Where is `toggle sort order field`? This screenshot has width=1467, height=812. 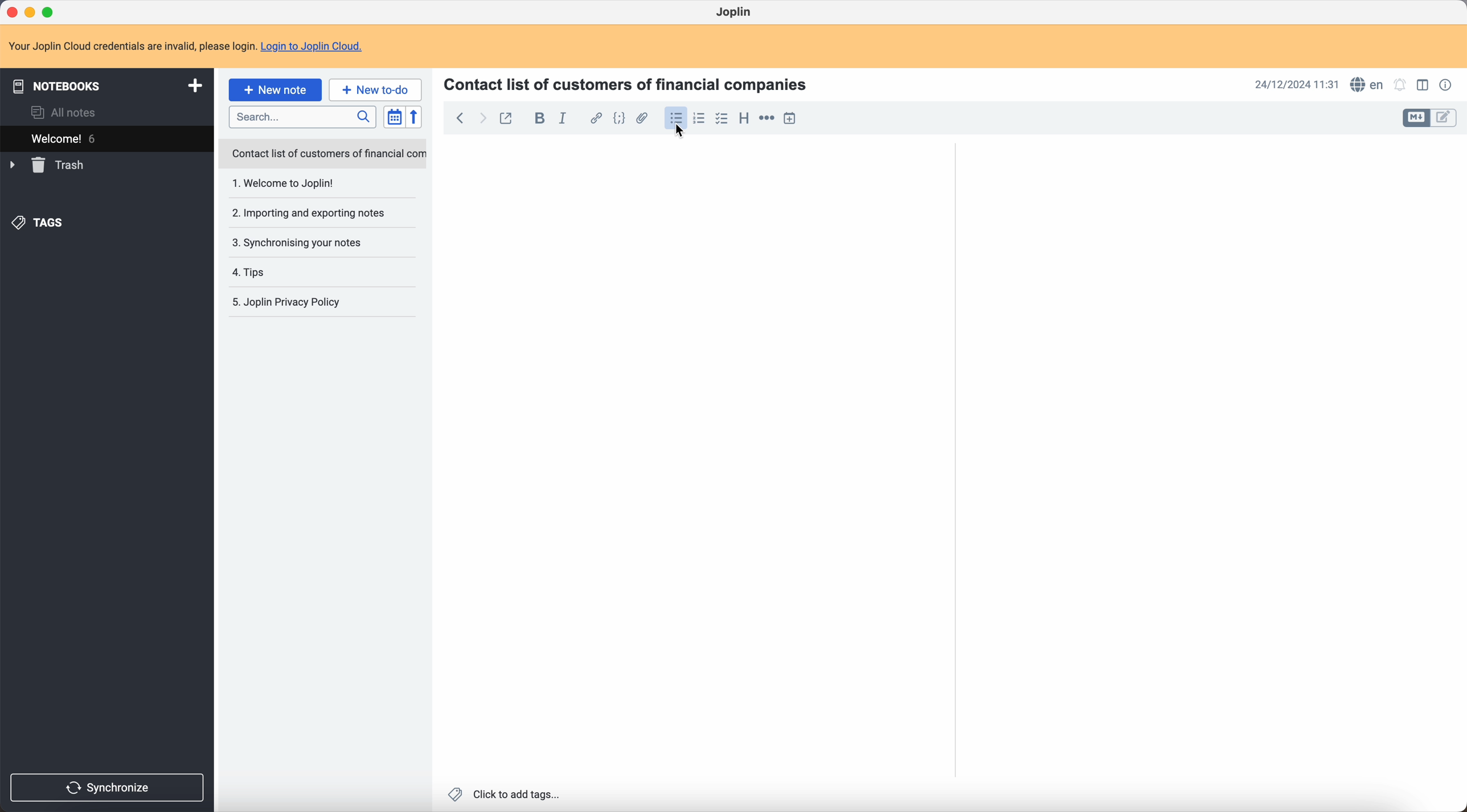 toggle sort order field is located at coordinates (392, 117).